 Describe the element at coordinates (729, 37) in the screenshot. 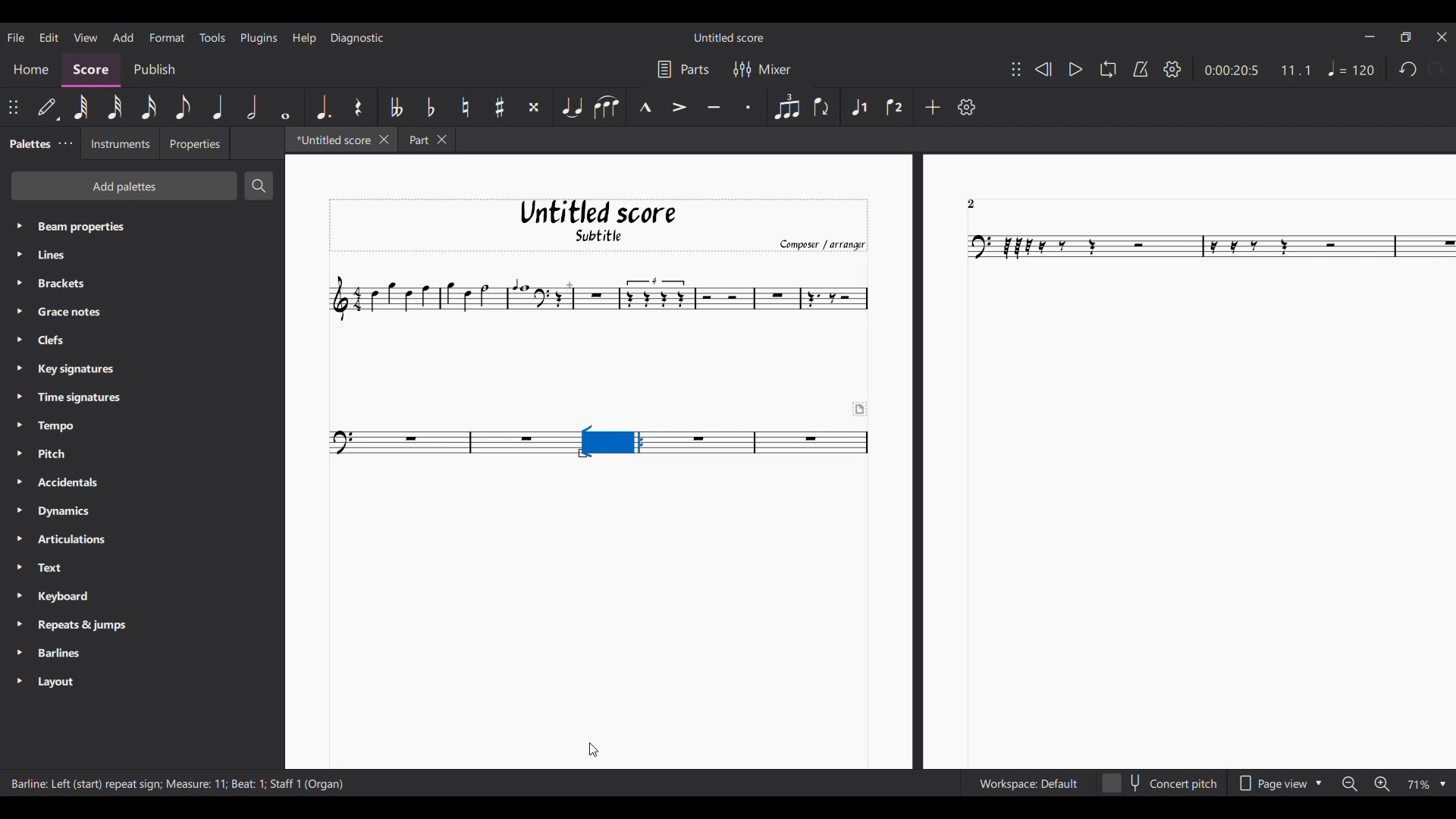

I see `Score title` at that location.